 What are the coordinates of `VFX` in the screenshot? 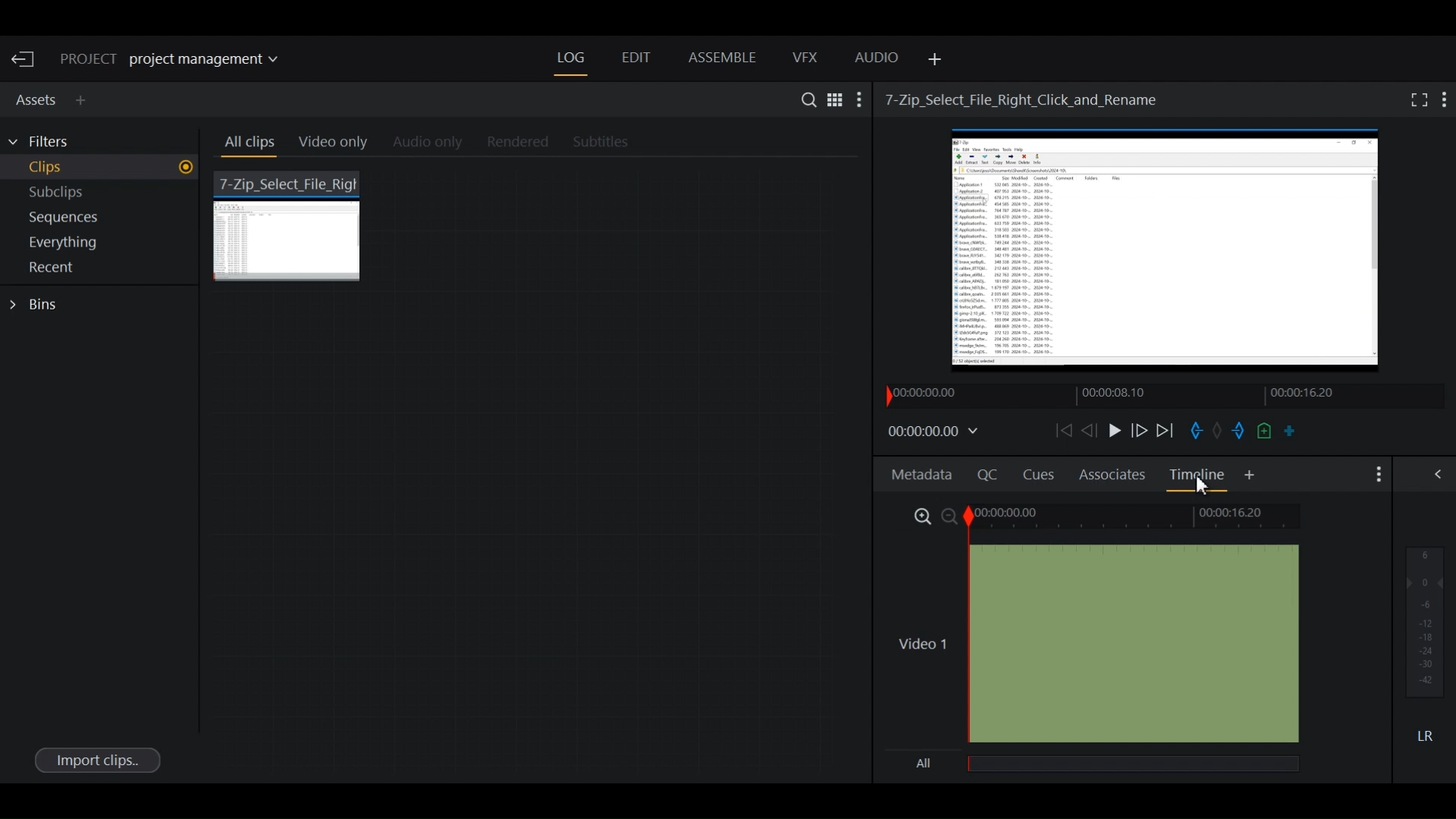 It's located at (806, 58).